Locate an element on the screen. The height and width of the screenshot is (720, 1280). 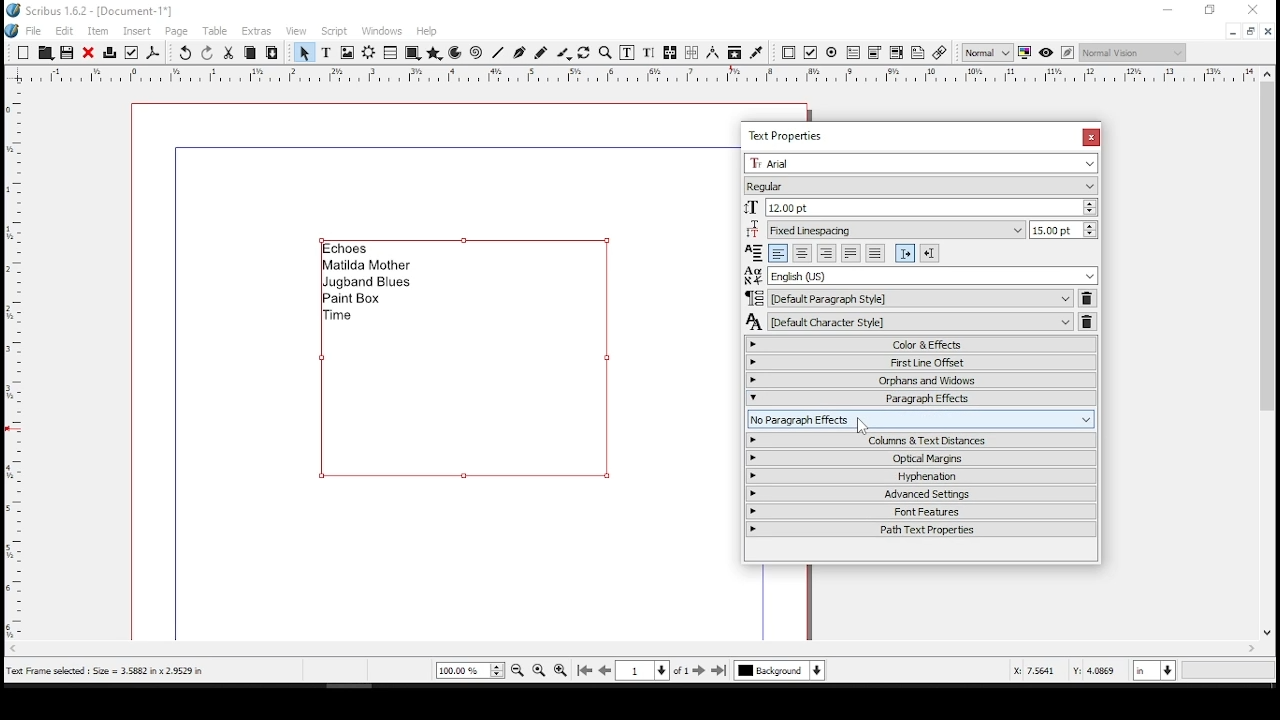
view is located at coordinates (296, 32).